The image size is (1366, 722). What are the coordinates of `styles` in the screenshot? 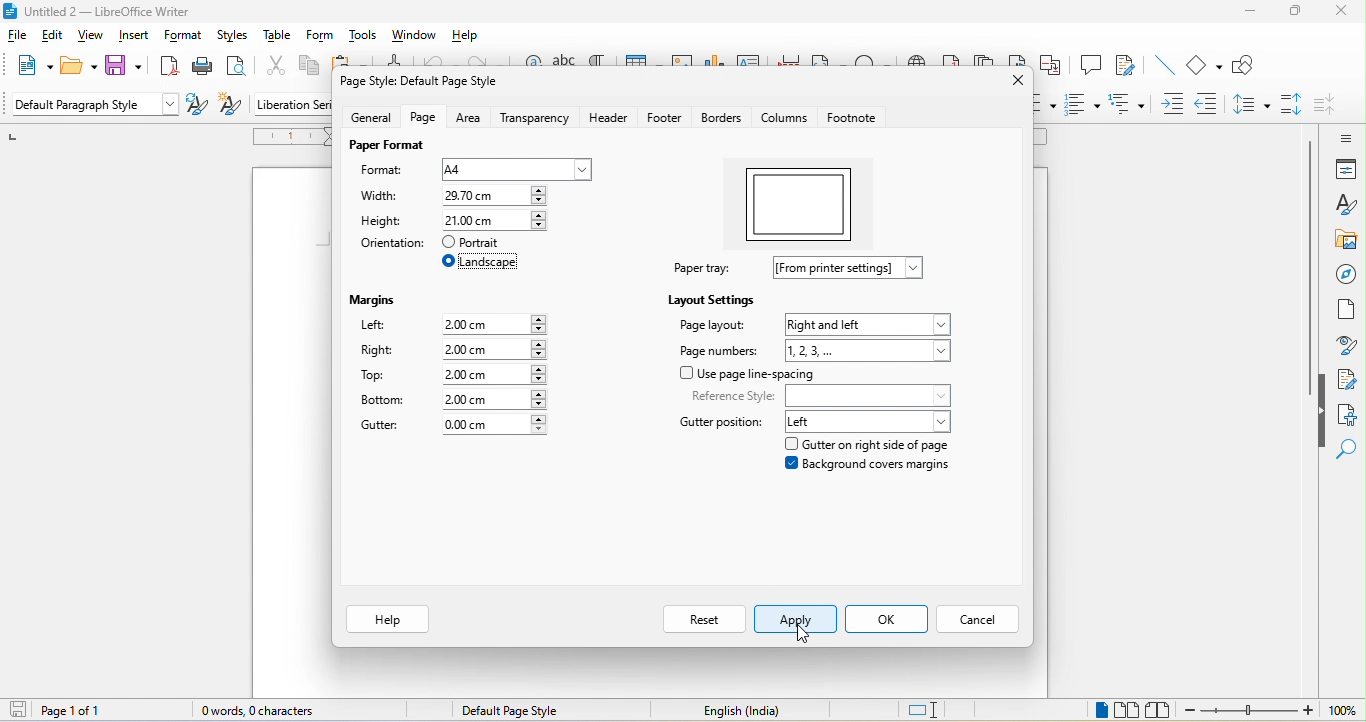 It's located at (236, 37).